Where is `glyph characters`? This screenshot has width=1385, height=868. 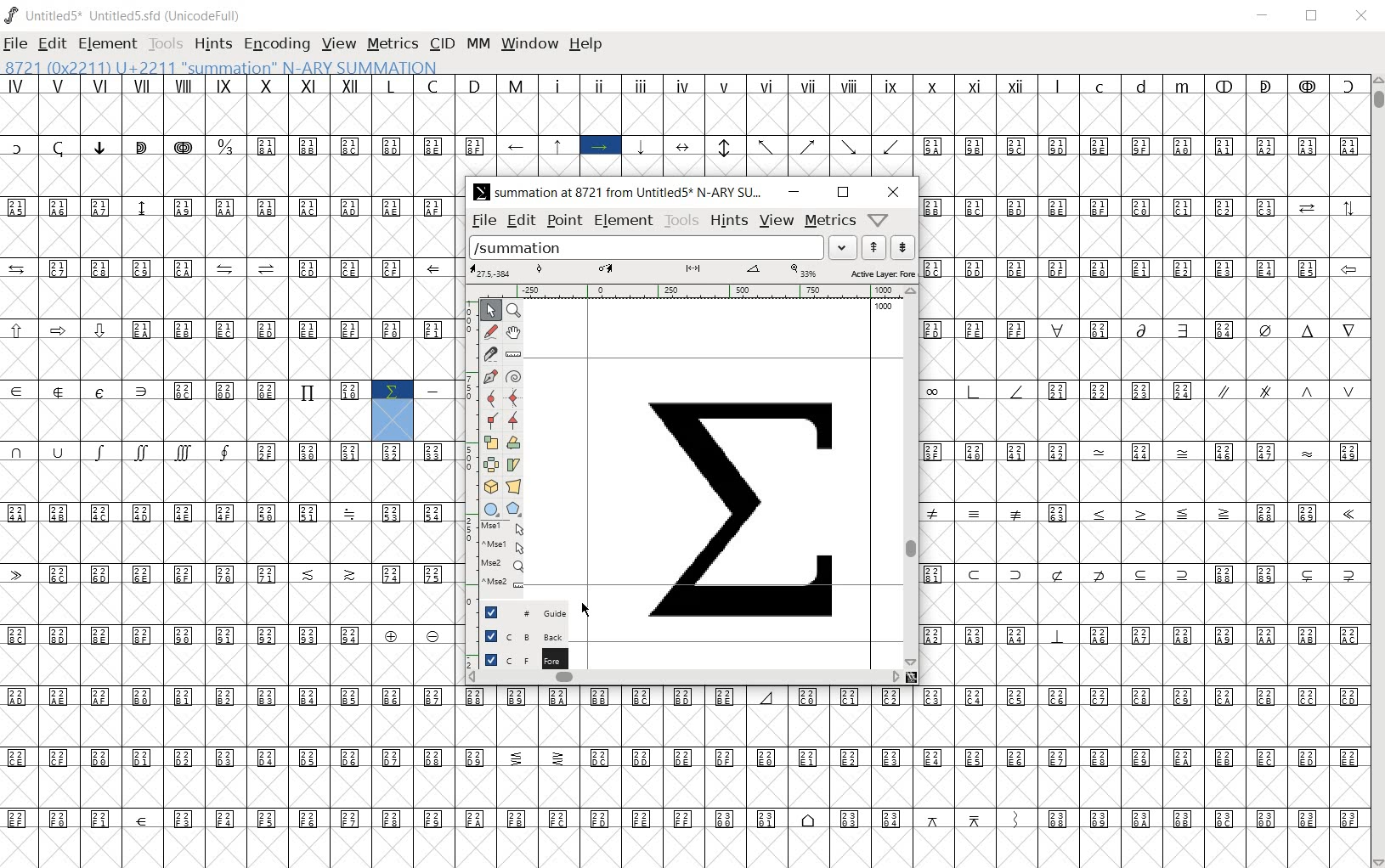 glyph characters is located at coordinates (911, 126).